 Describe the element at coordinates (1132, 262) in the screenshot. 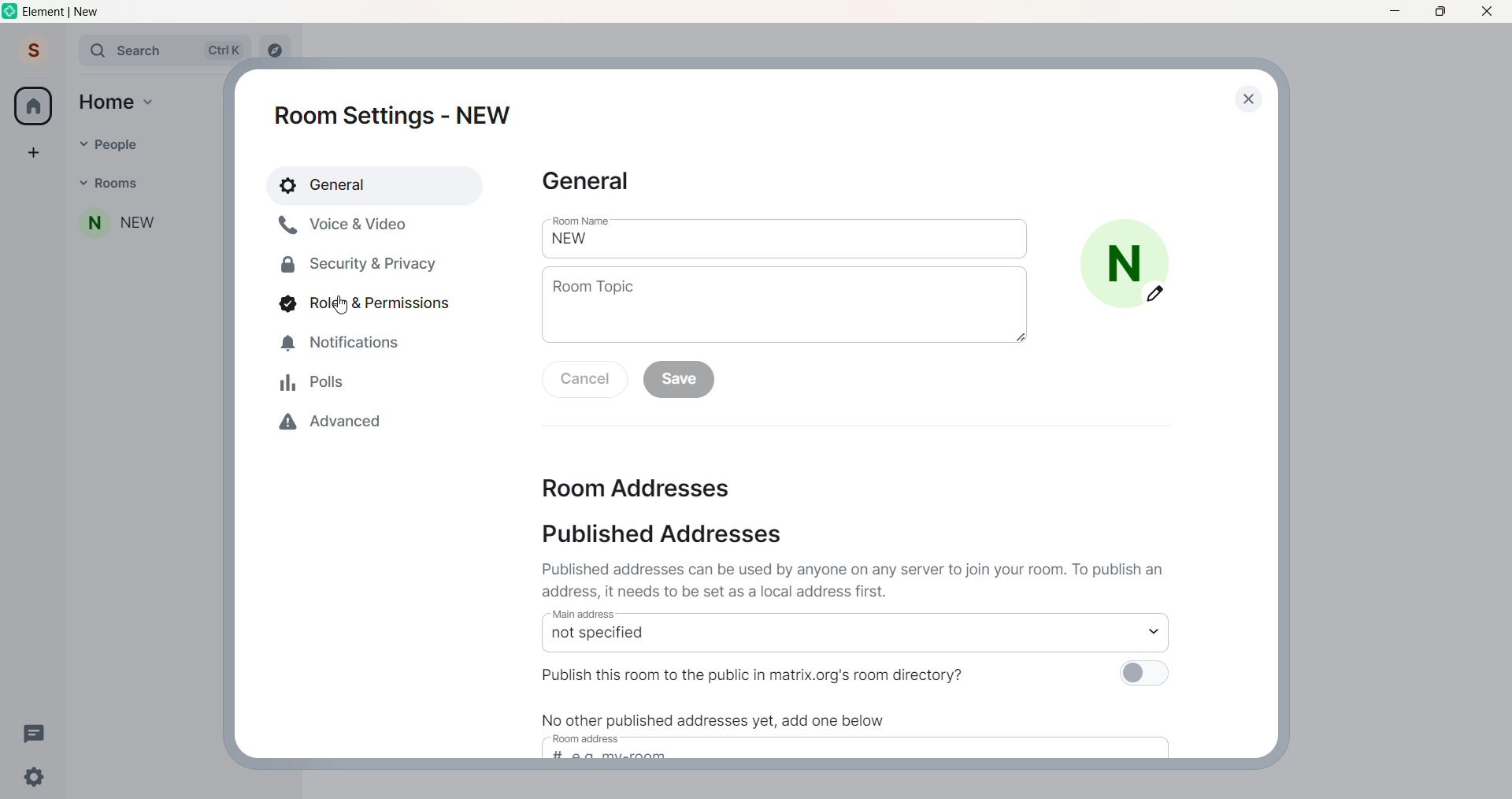

I see `display picture` at that location.